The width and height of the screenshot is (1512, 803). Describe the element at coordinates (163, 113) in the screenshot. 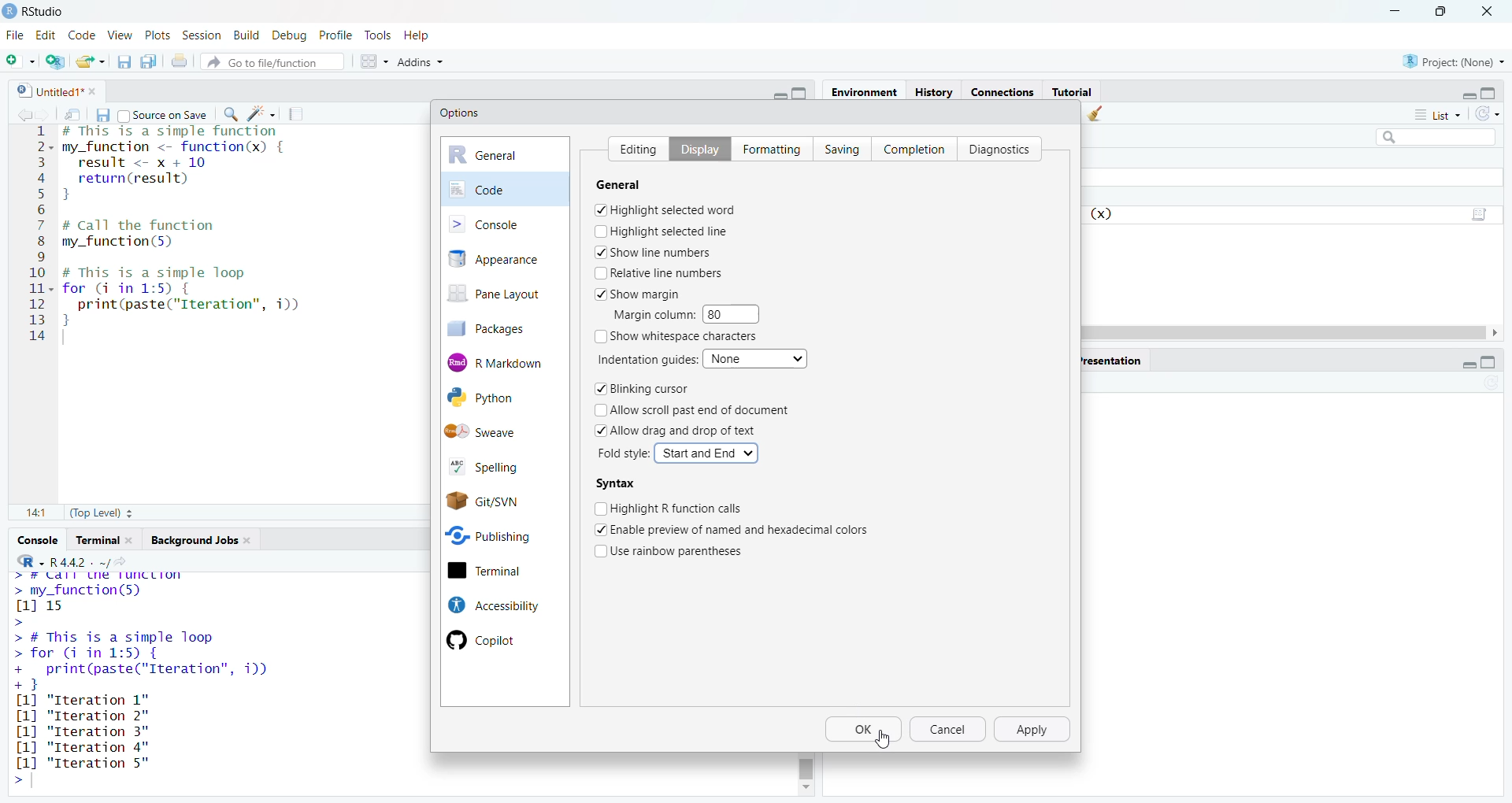

I see `source on save` at that location.